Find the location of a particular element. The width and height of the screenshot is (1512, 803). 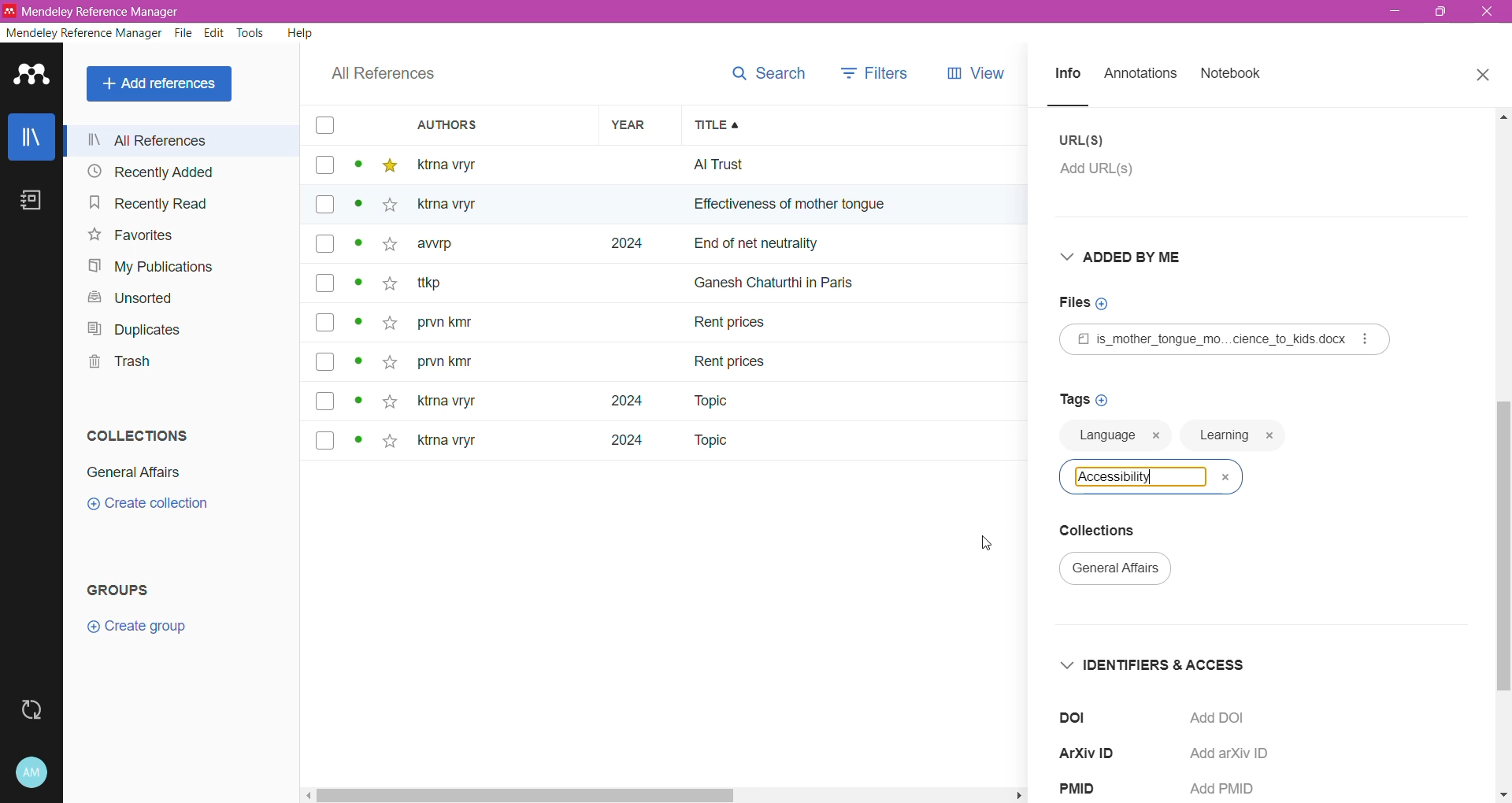

URL(S) is located at coordinates (1084, 140).